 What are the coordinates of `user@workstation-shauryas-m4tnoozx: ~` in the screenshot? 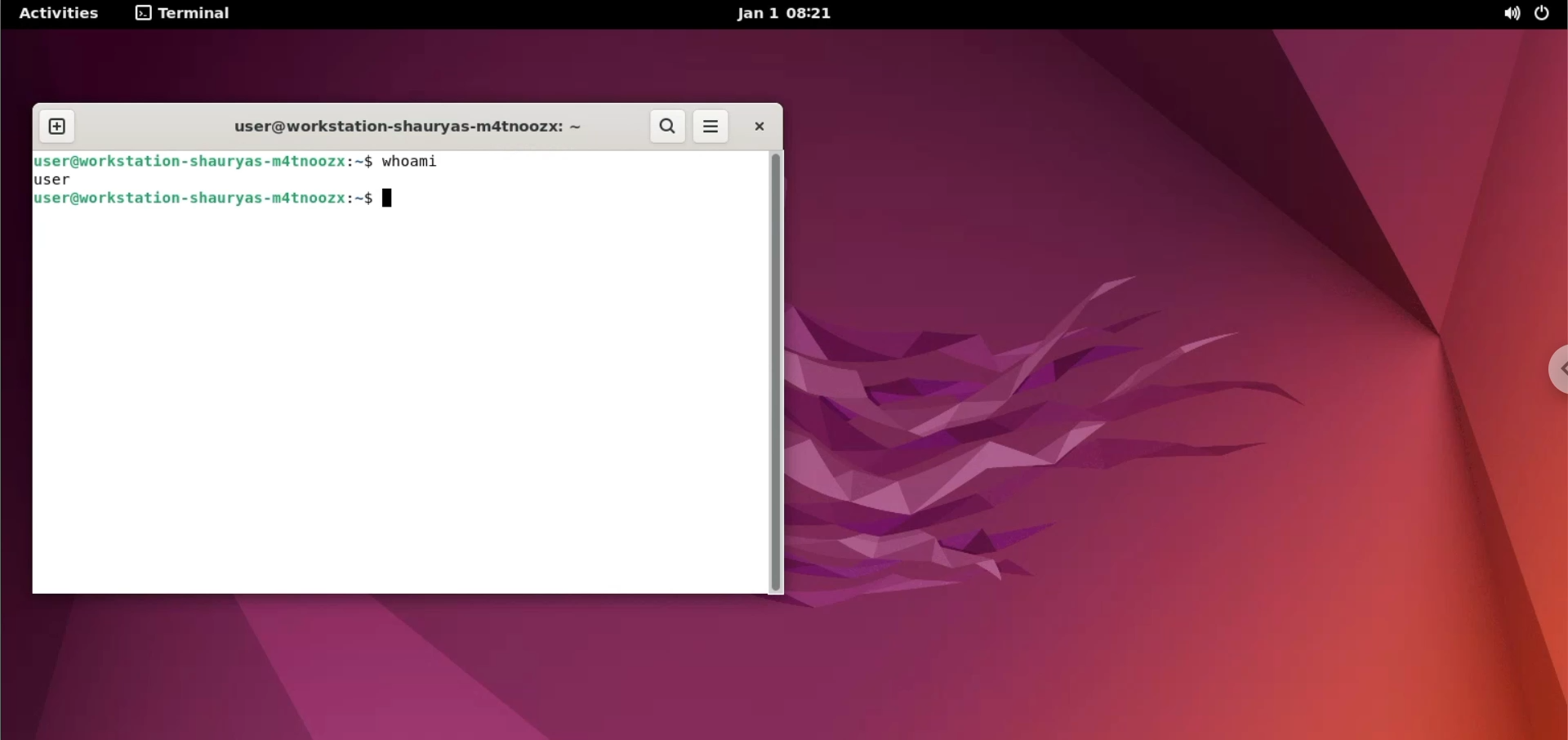 It's located at (410, 127).